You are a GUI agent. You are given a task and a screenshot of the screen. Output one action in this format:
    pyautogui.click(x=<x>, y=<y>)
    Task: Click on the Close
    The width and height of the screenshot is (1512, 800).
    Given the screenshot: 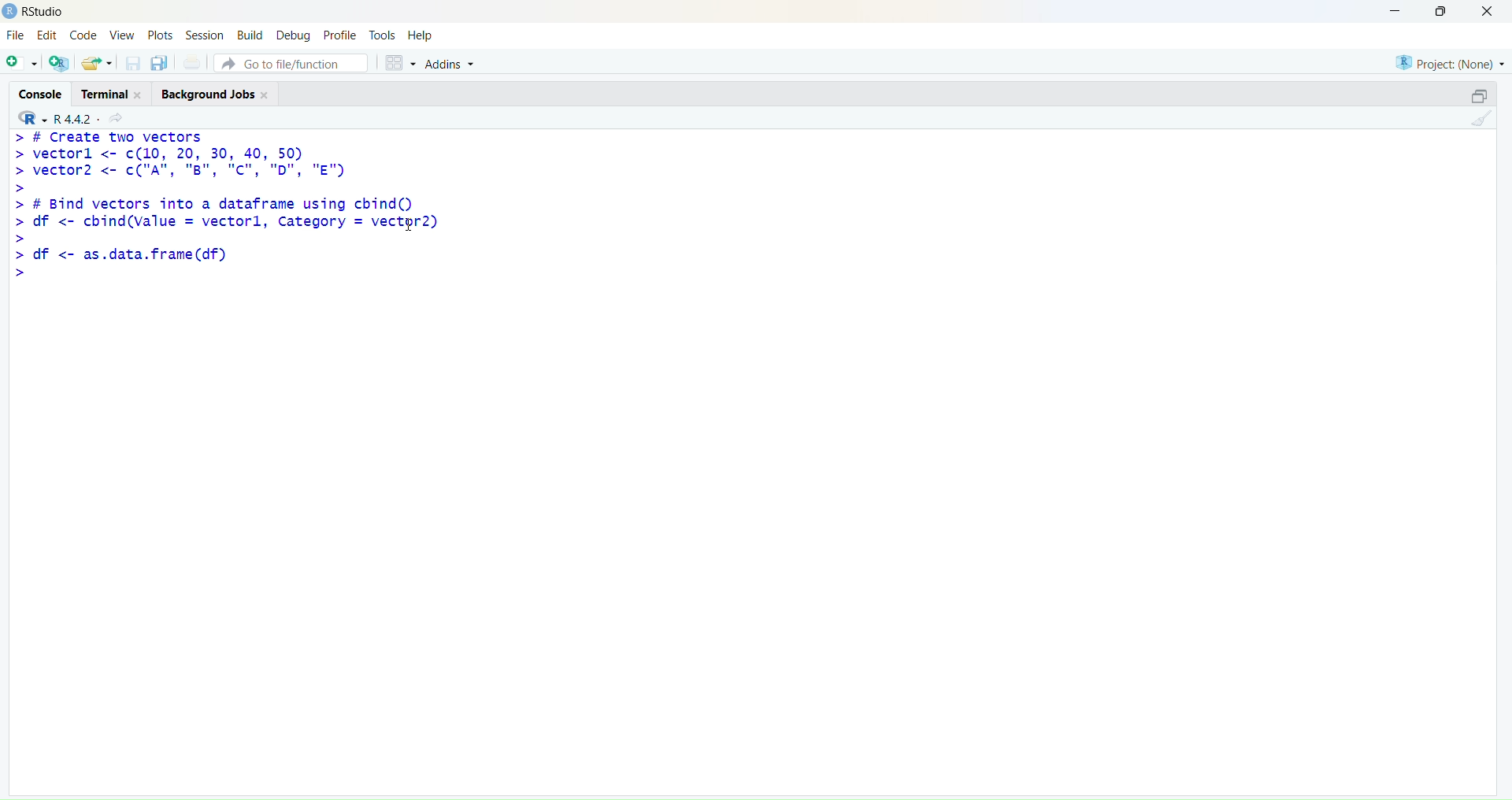 What is the action you would take?
    pyautogui.click(x=1488, y=13)
    